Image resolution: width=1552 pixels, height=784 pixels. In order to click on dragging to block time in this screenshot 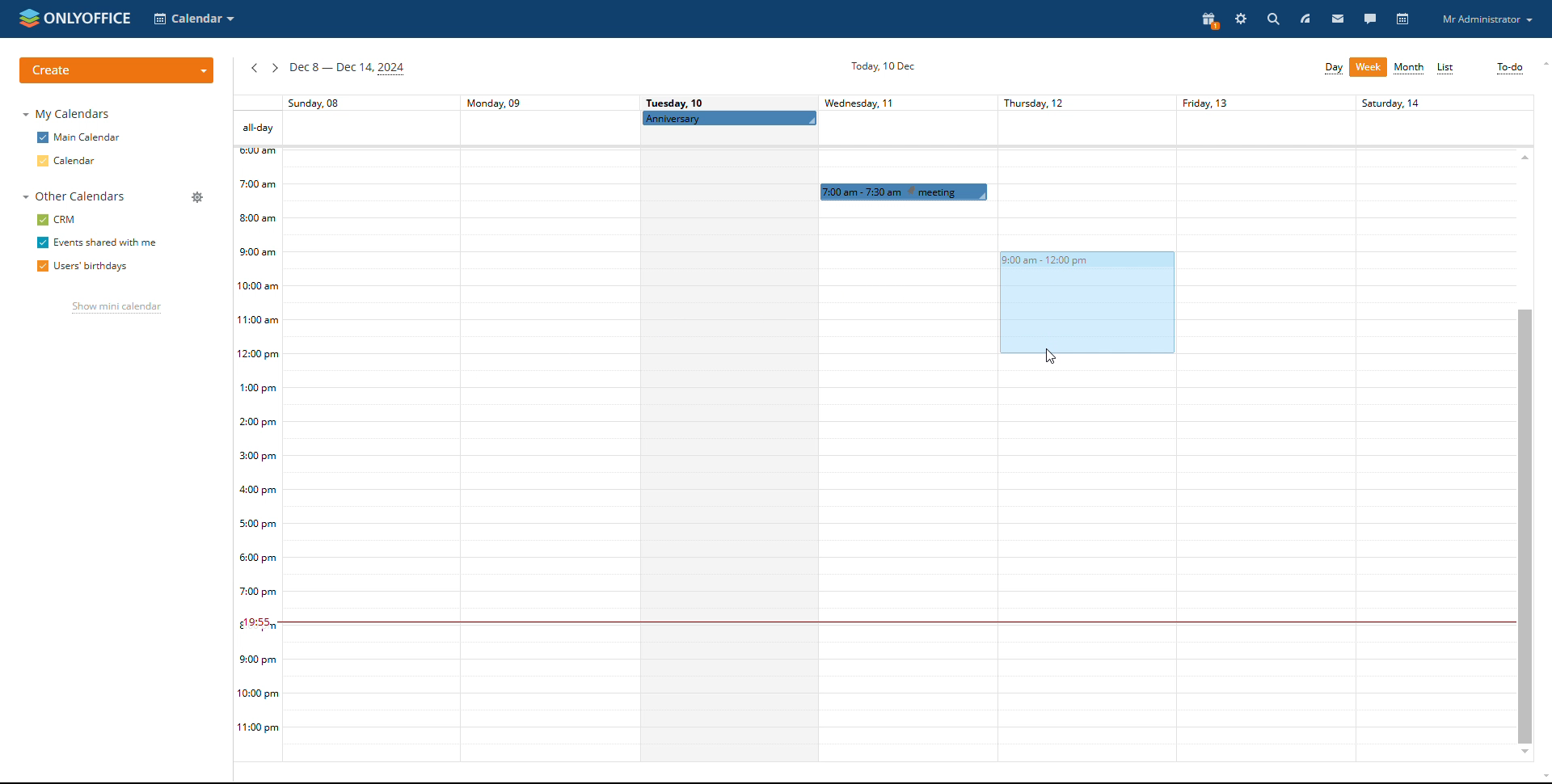, I will do `click(1082, 302)`.